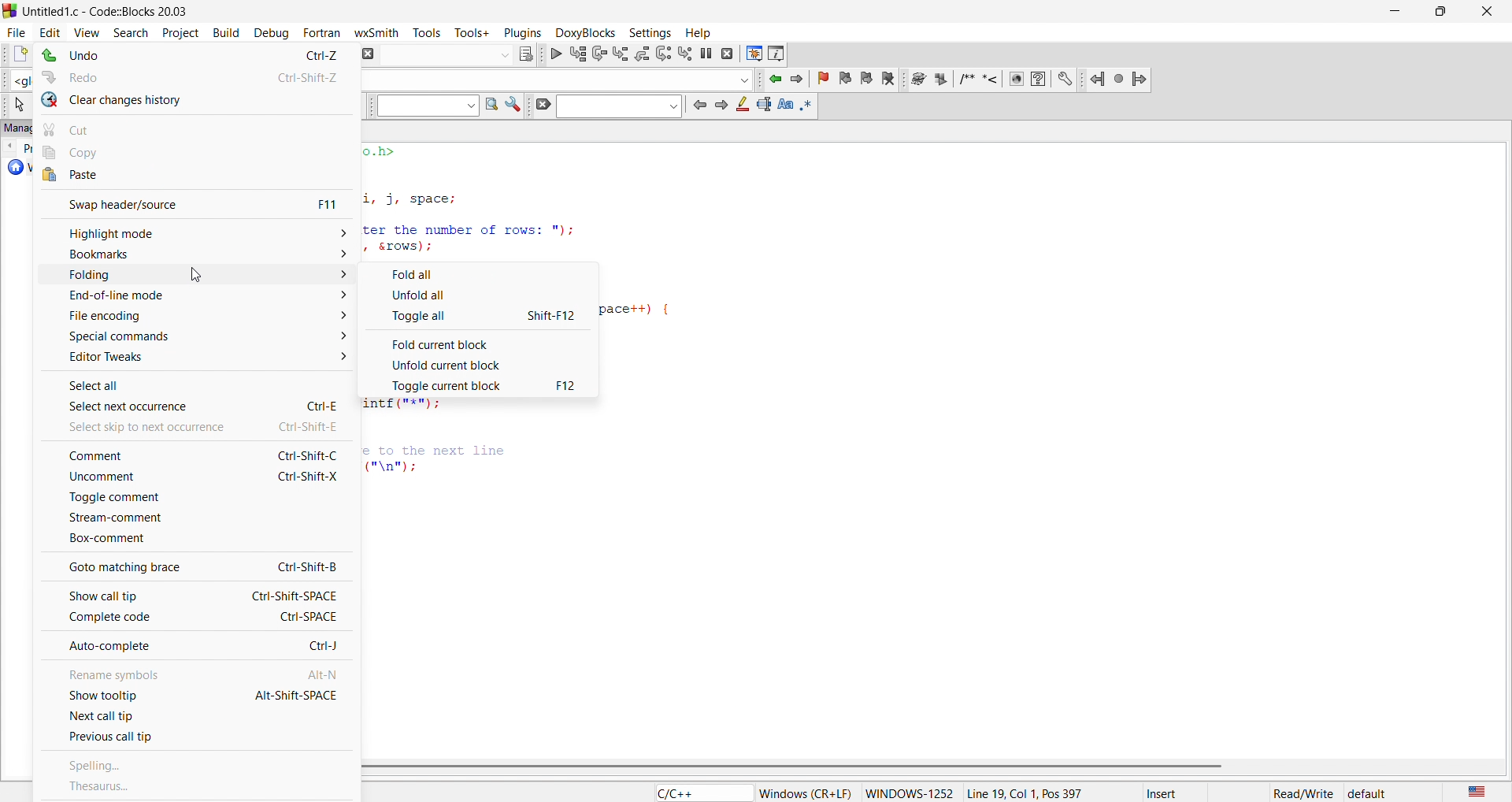 The width and height of the screenshot is (1512, 802). What do you see at coordinates (193, 740) in the screenshot?
I see `previous call tip` at bounding box center [193, 740].